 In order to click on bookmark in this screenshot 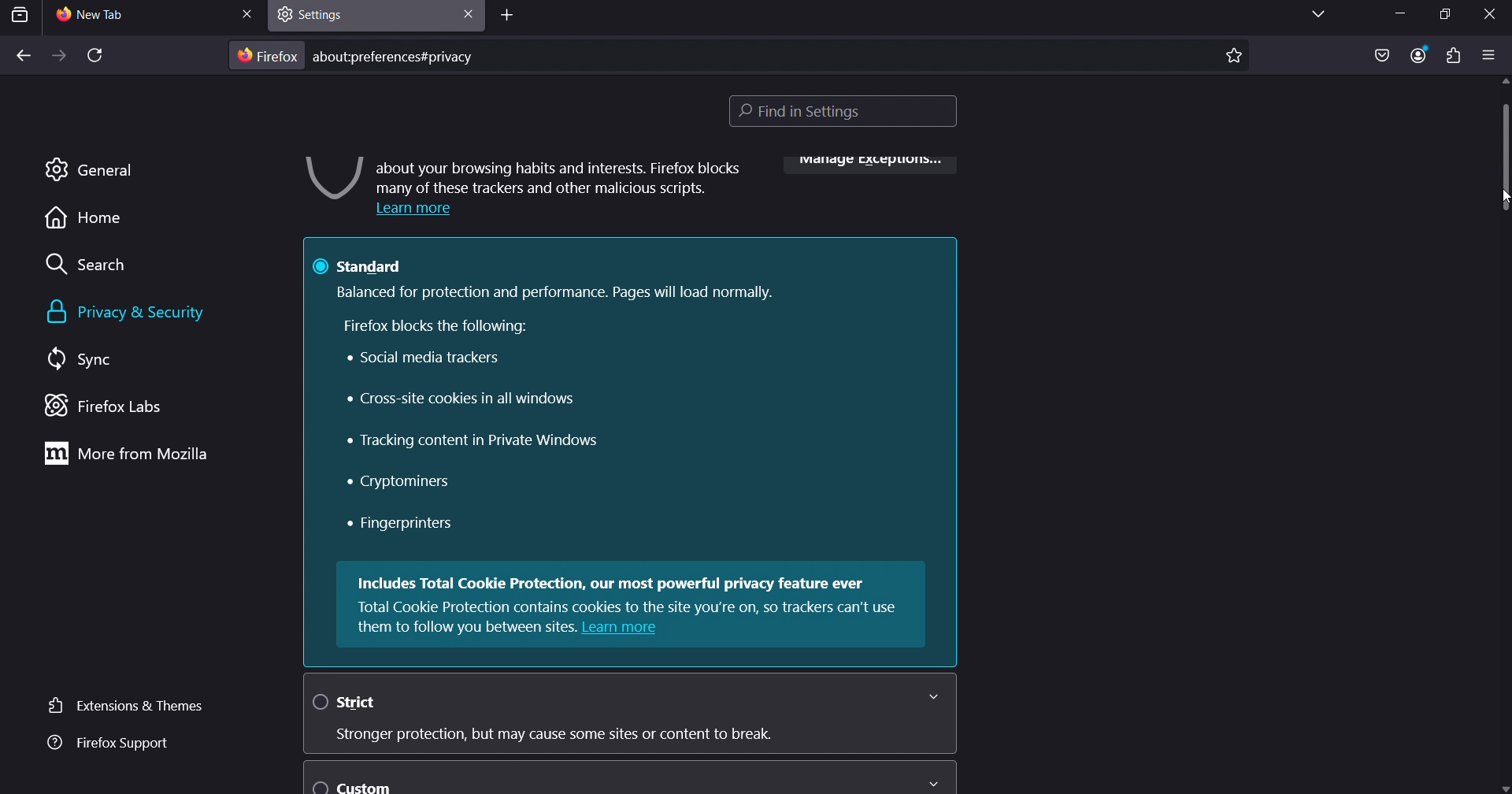, I will do `click(1234, 54)`.